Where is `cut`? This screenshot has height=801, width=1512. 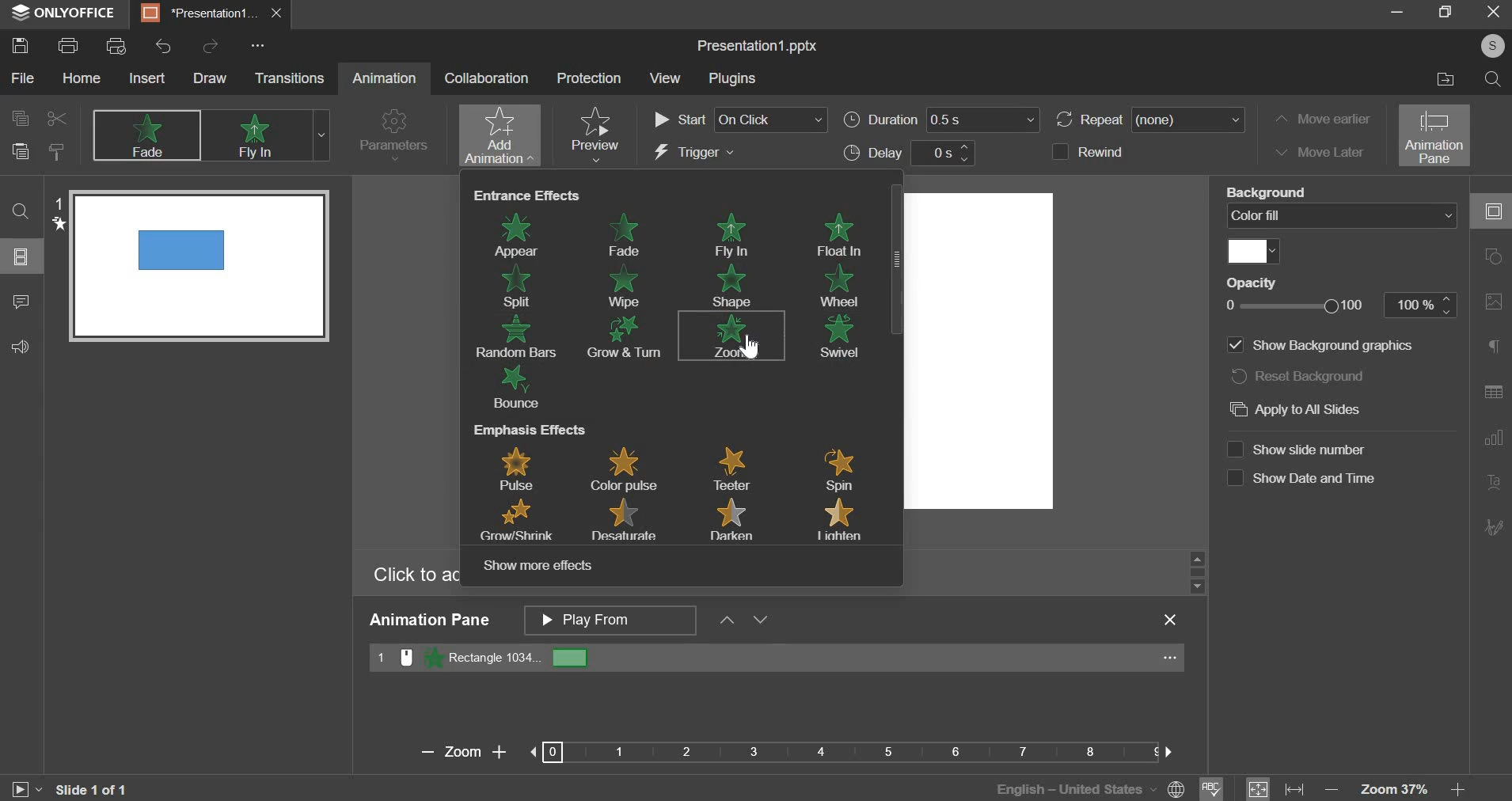
cut is located at coordinates (58, 118).